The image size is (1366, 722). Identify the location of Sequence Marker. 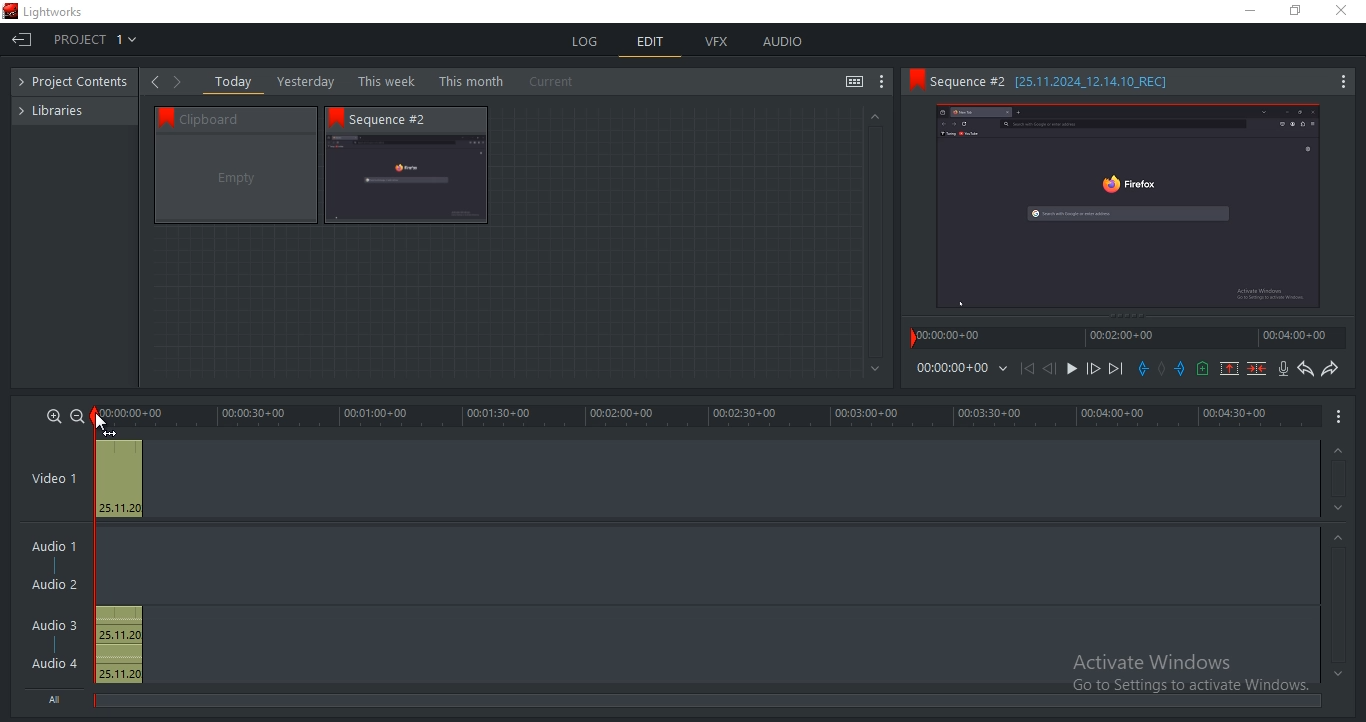
(99, 559).